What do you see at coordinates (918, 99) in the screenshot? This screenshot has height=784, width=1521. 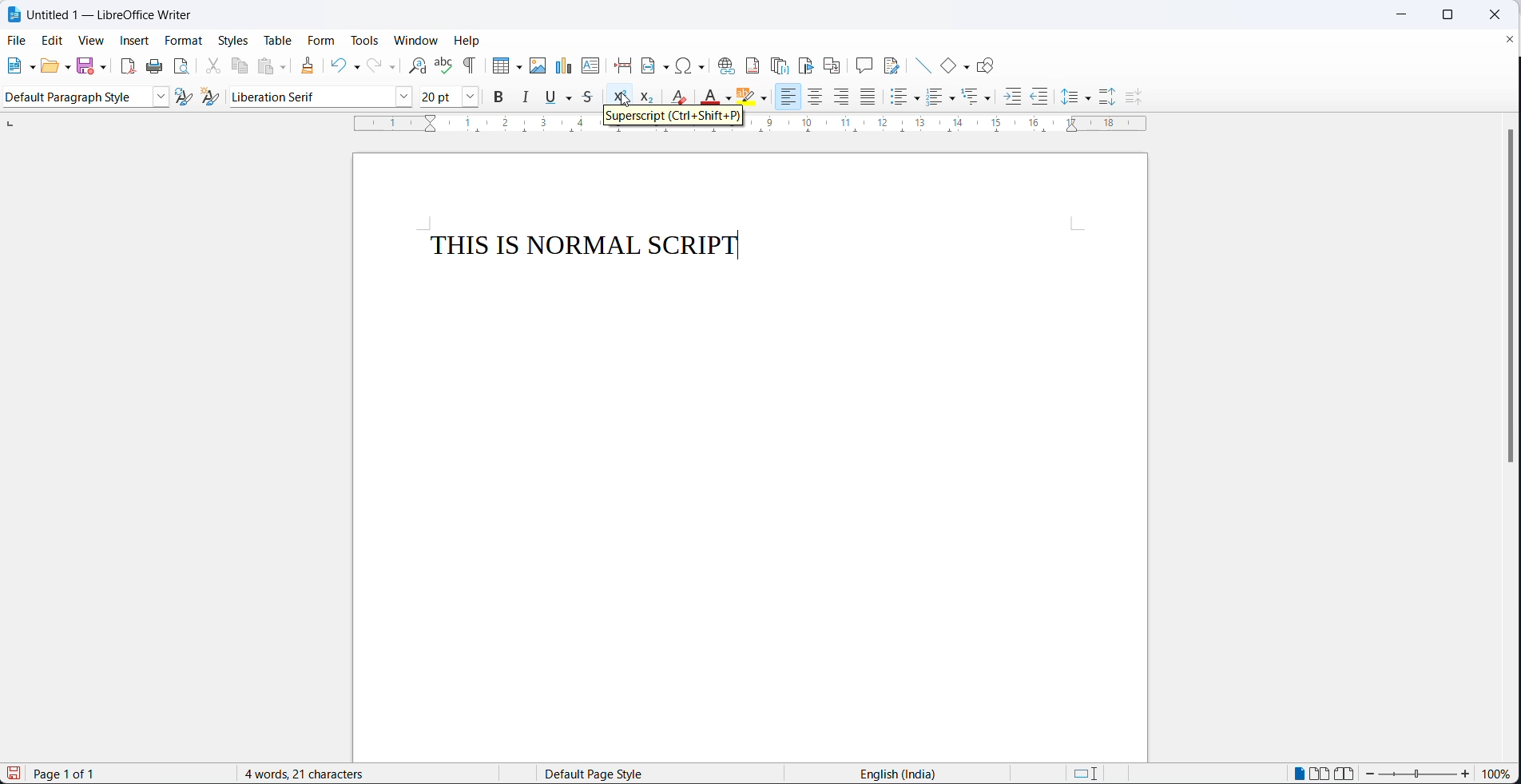 I see `toggle unordered list options` at bounding box center [918, 99].